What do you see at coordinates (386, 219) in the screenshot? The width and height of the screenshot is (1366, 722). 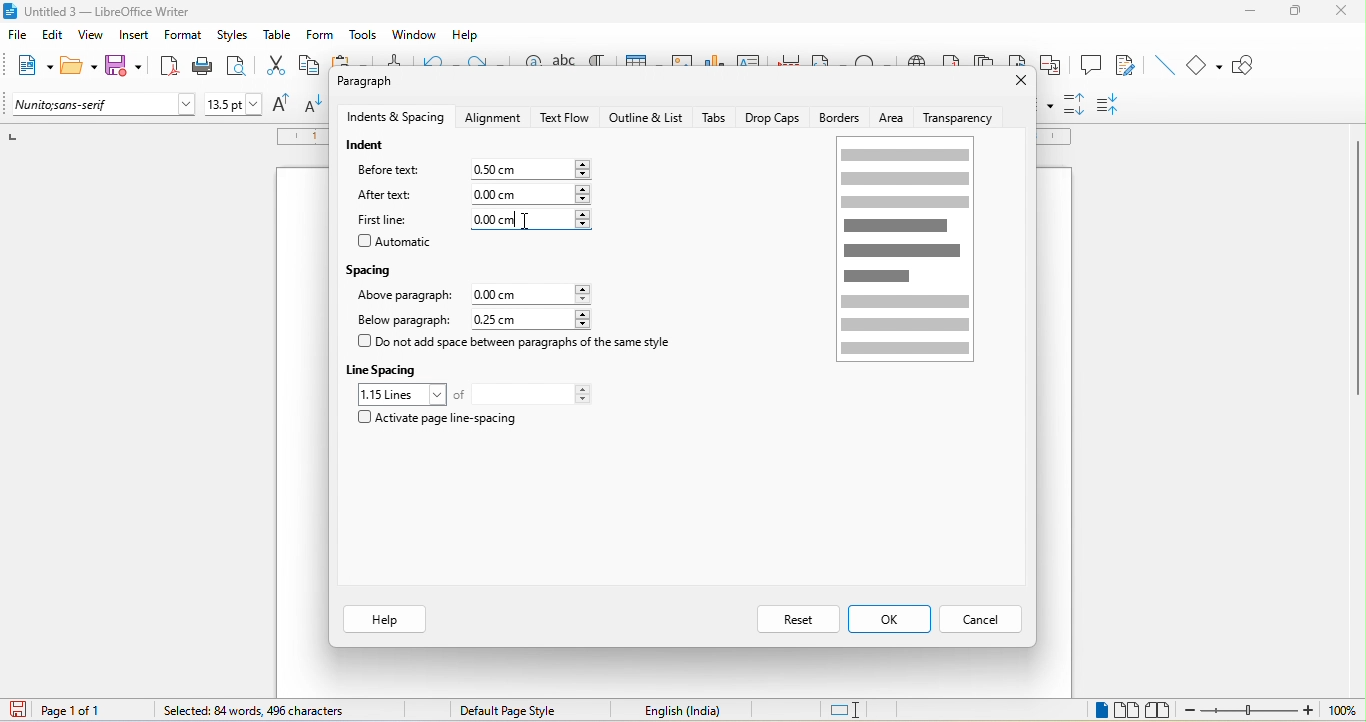 I see `first line` at bounding box center [386, 219].